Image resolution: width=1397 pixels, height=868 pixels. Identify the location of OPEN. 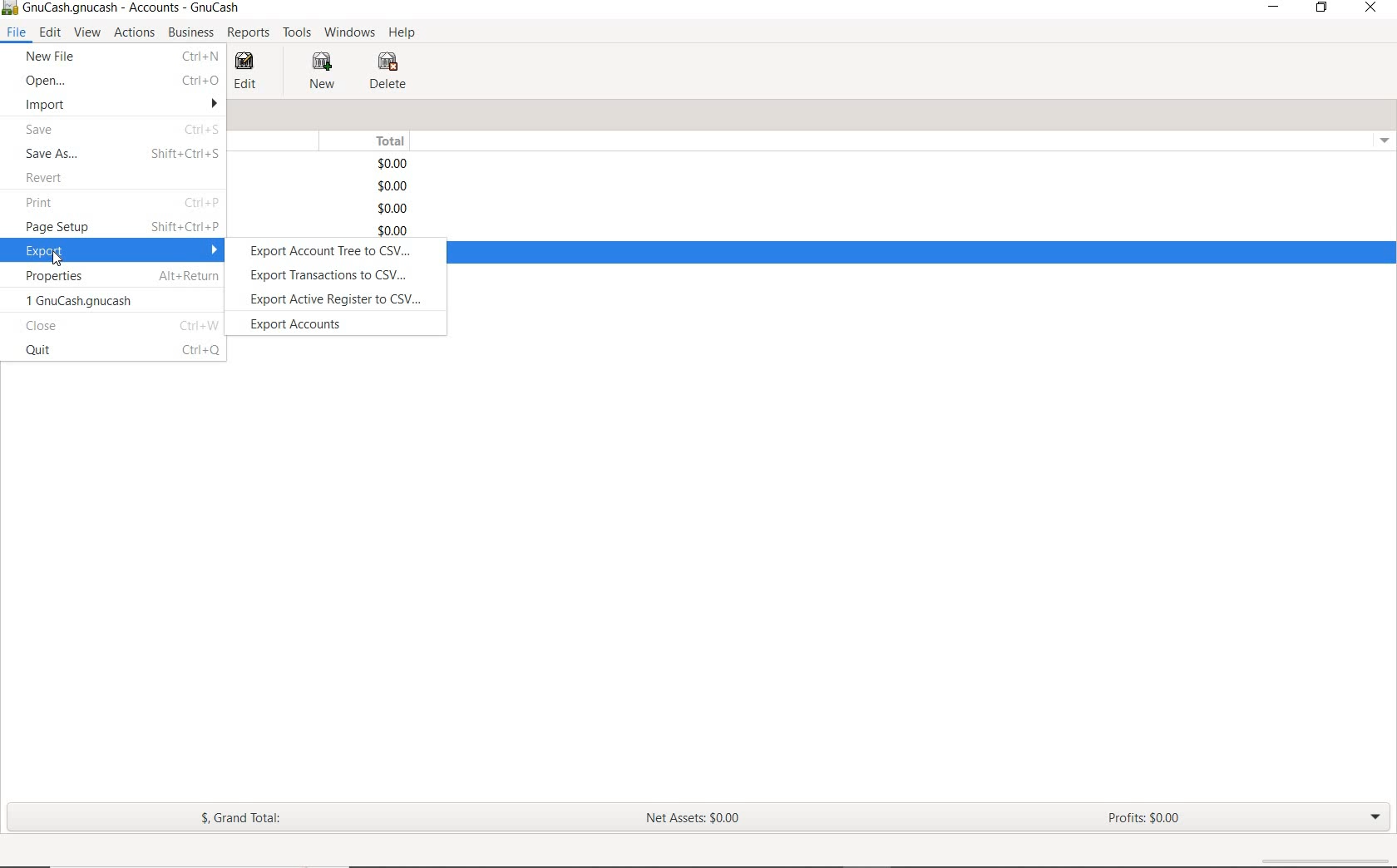
(47, 81).